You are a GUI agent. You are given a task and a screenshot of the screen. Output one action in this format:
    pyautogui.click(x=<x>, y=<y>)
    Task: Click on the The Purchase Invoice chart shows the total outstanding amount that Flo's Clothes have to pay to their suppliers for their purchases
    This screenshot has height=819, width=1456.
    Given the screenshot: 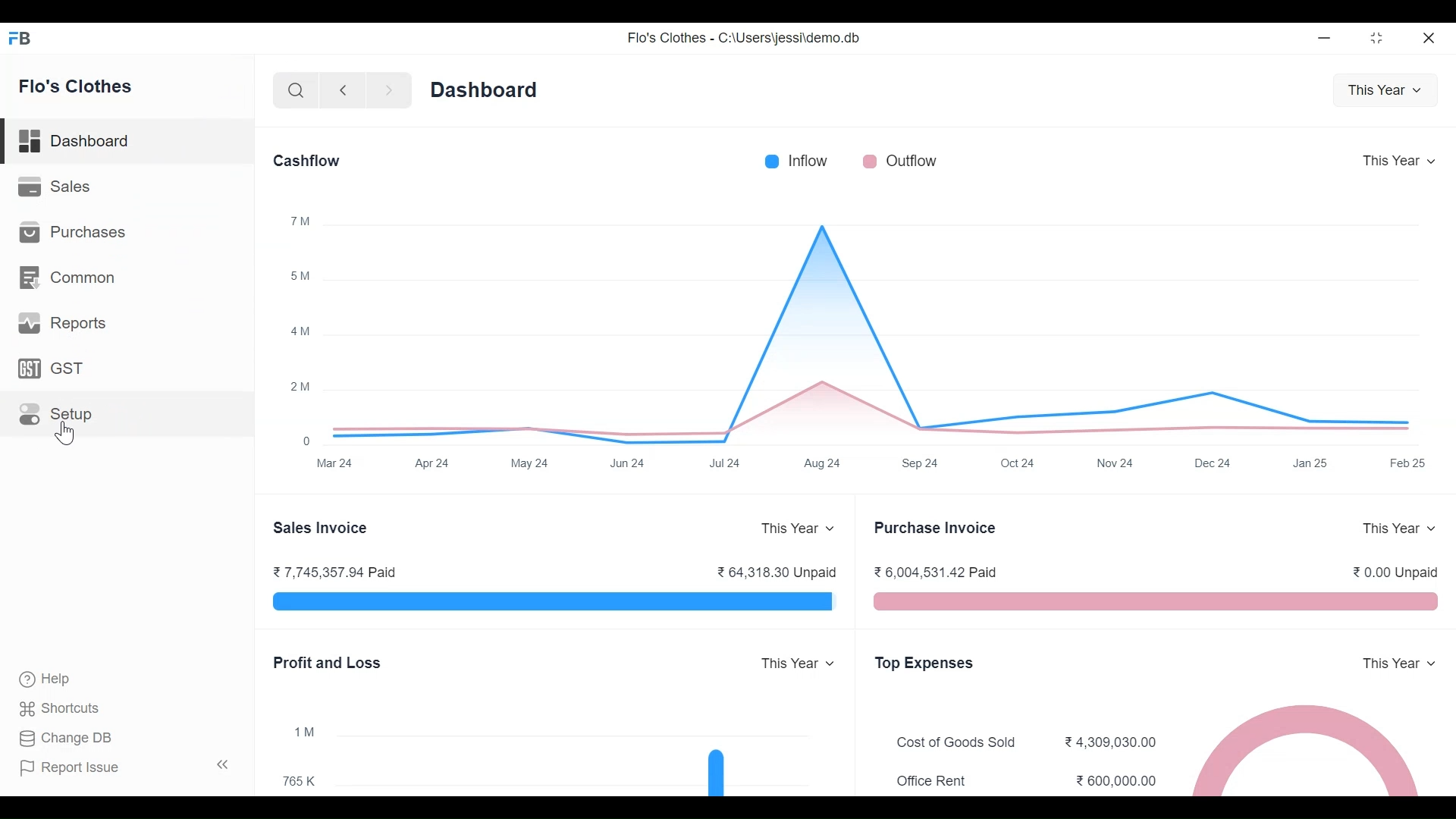 What is the action you would take?
    pyautogui.click(x=1153, y=602)
    